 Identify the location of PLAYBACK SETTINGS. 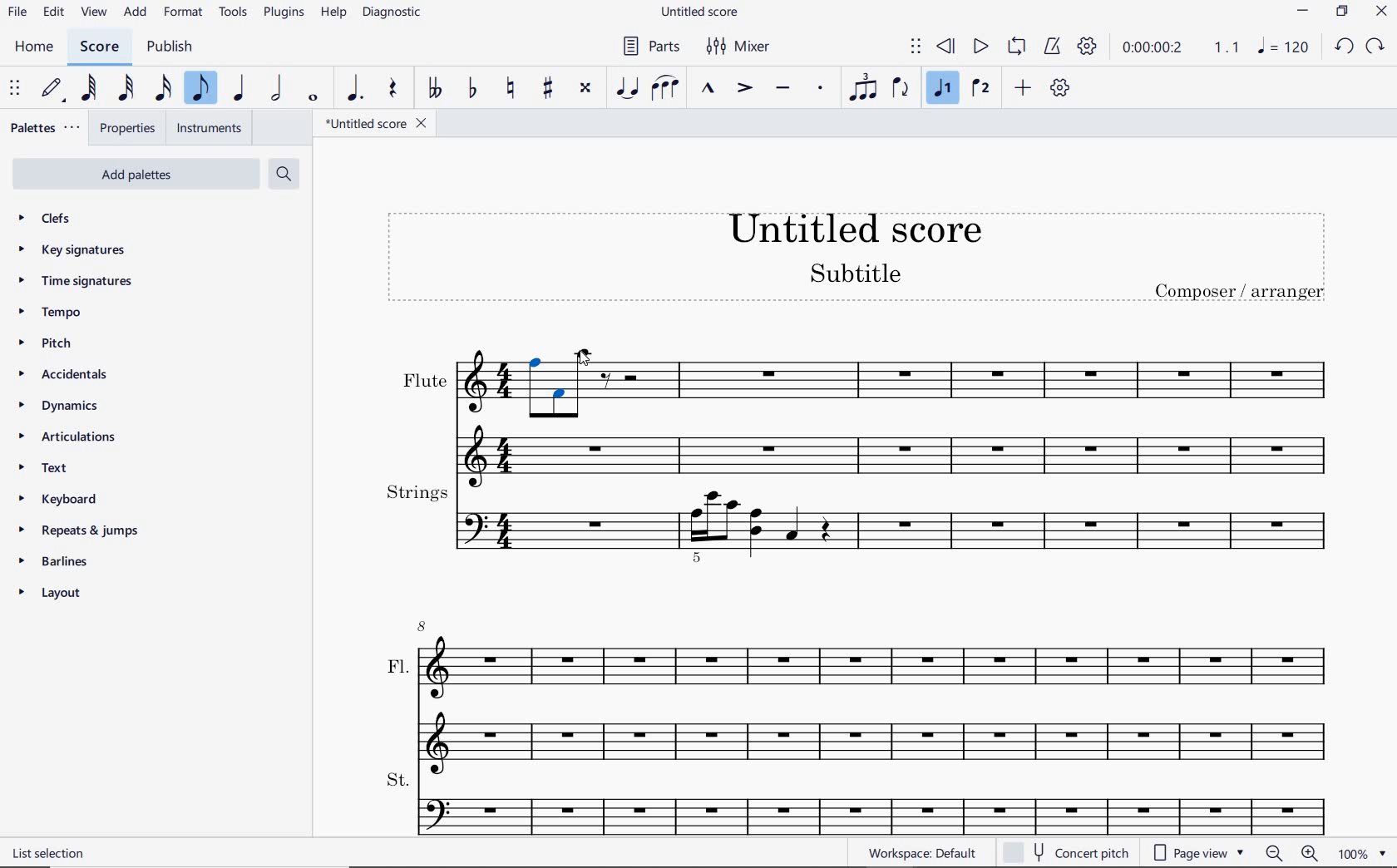
(1087, 46).